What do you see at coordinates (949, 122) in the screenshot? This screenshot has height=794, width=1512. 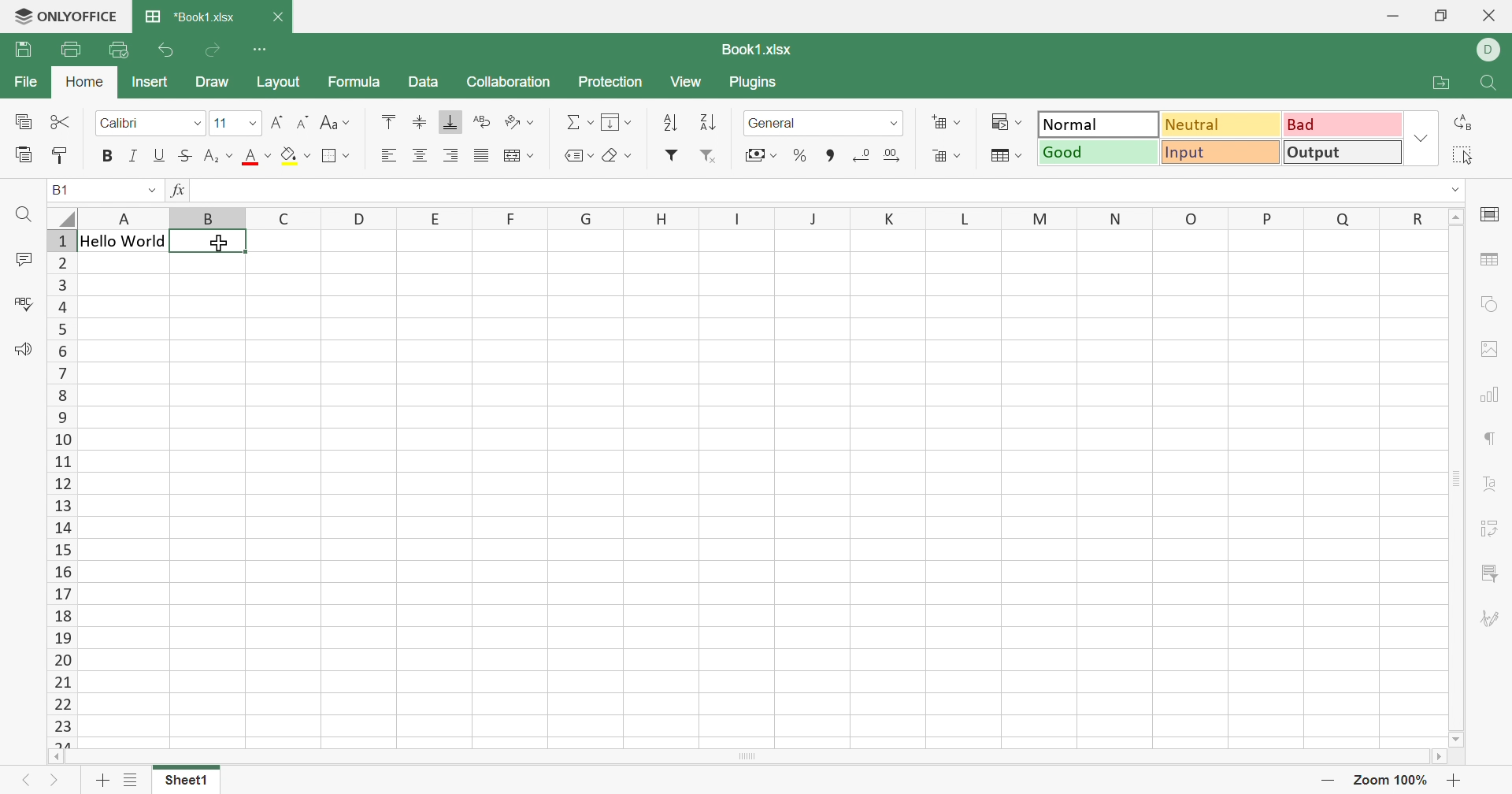 I see `Add cell` at bounding box center [949, 122].